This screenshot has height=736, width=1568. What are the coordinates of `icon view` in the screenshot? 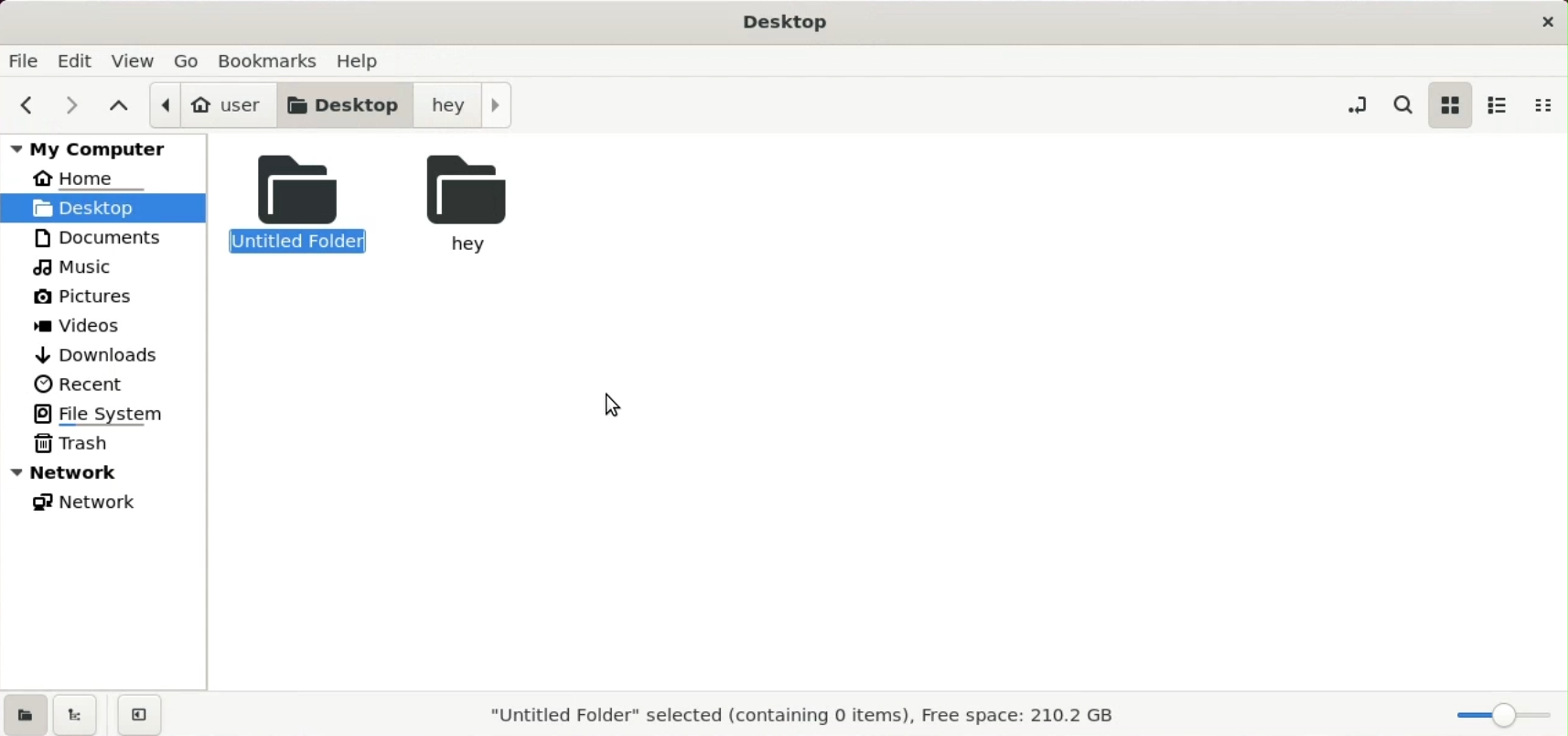 It's located at (1449, 104).